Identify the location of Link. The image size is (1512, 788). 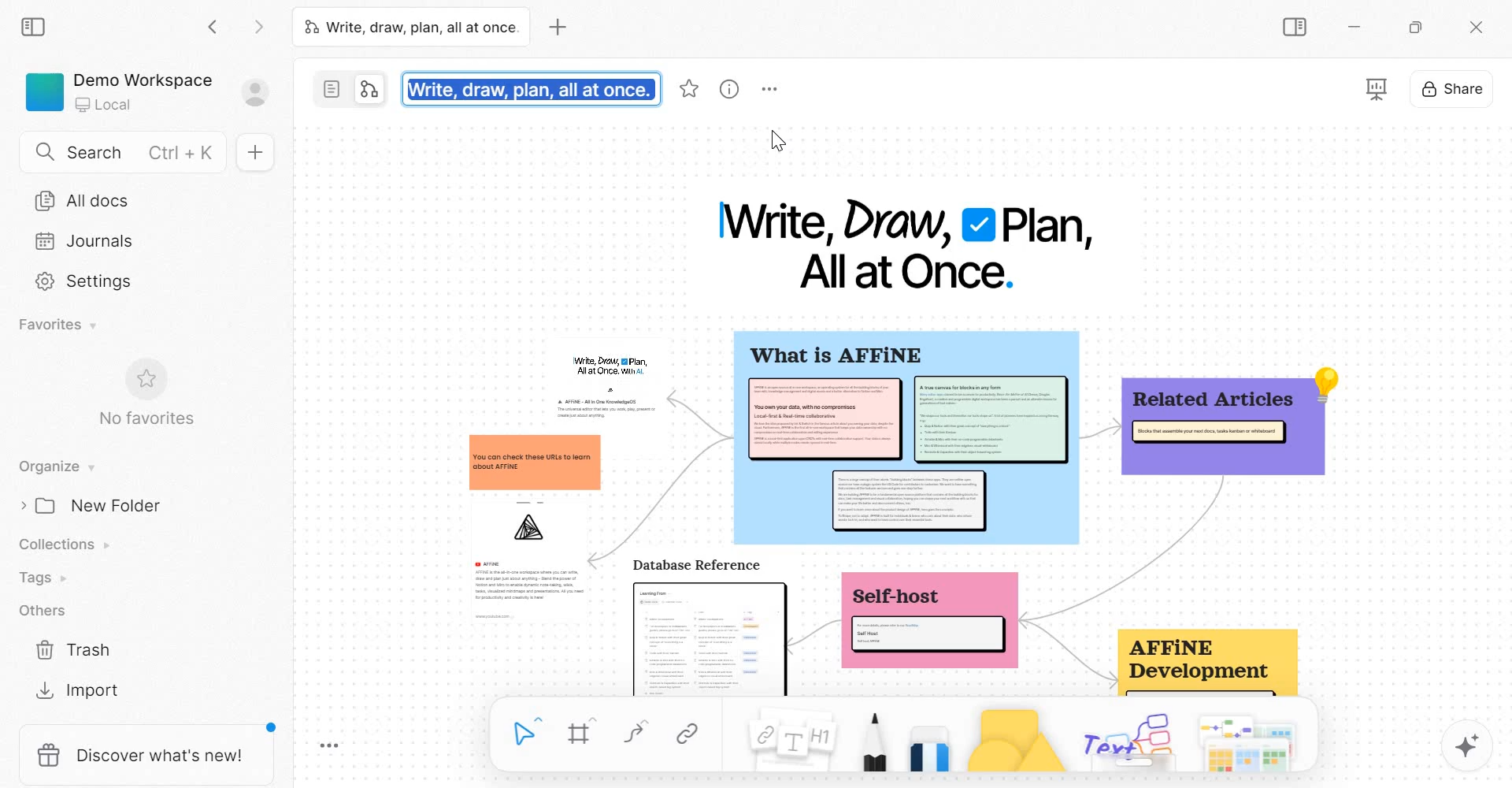
(687, 734).